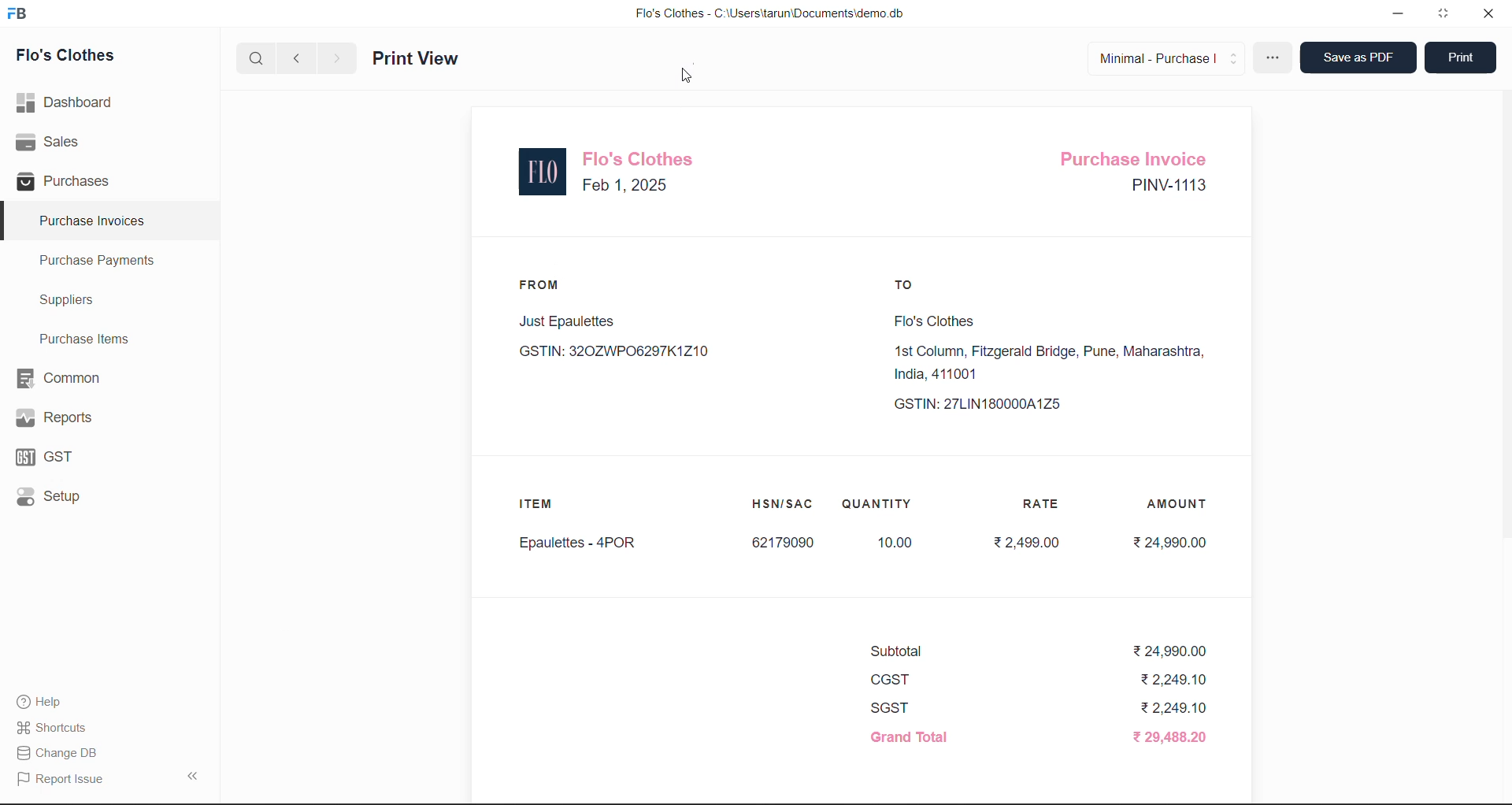 The height and width of the screenshot is (805, 1512). What do you see at coordinates (69, 180) in the screenshot?
I see `Purchases` at bounding box center [69, 180].